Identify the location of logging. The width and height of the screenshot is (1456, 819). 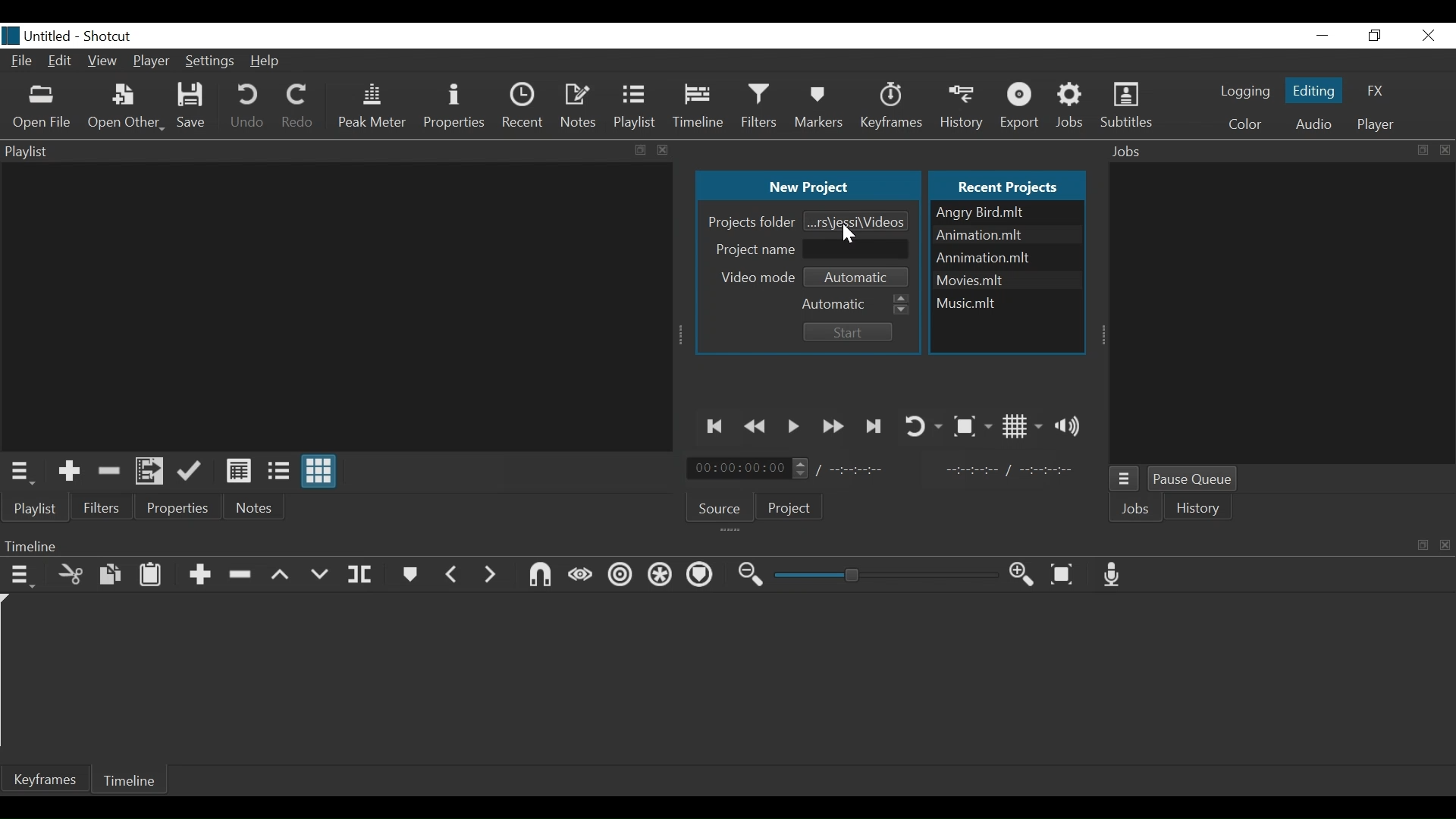
(1244, 93).